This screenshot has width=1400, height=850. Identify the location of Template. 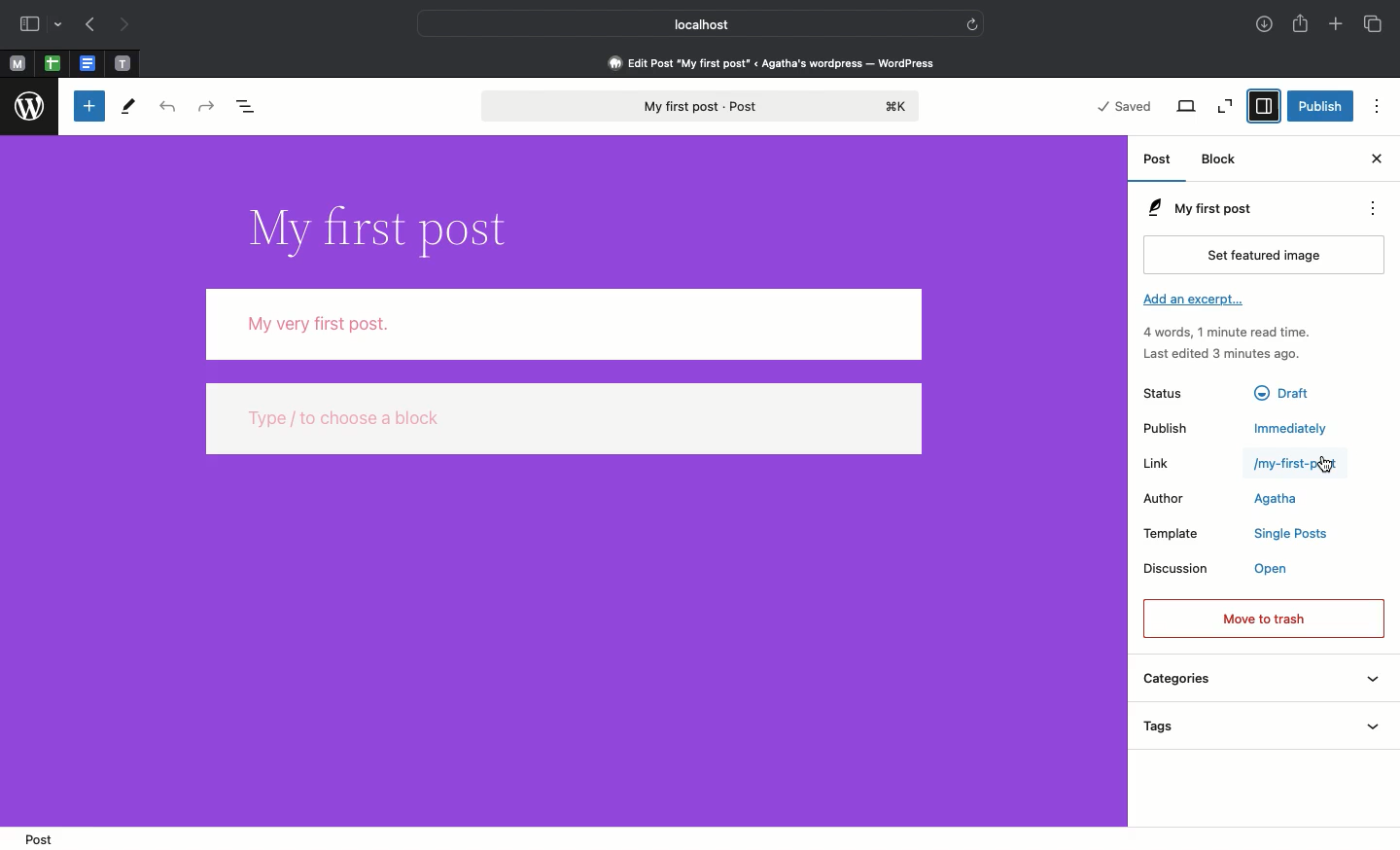
(1174, 533).